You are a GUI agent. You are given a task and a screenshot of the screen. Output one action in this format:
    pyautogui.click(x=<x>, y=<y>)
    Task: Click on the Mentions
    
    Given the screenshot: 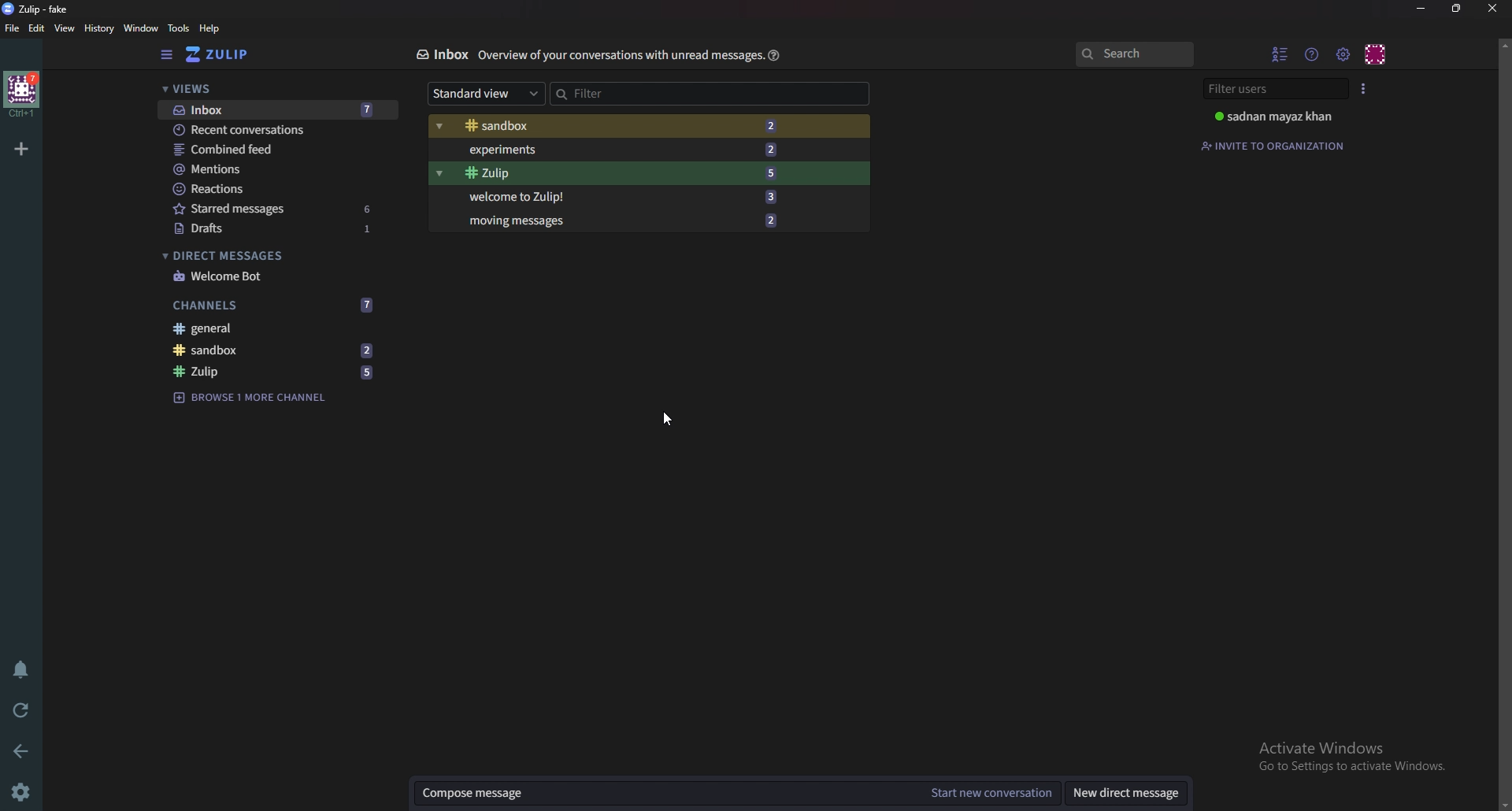 What is the action you would take?
    pyautogui.click(x=269, y=171)
    